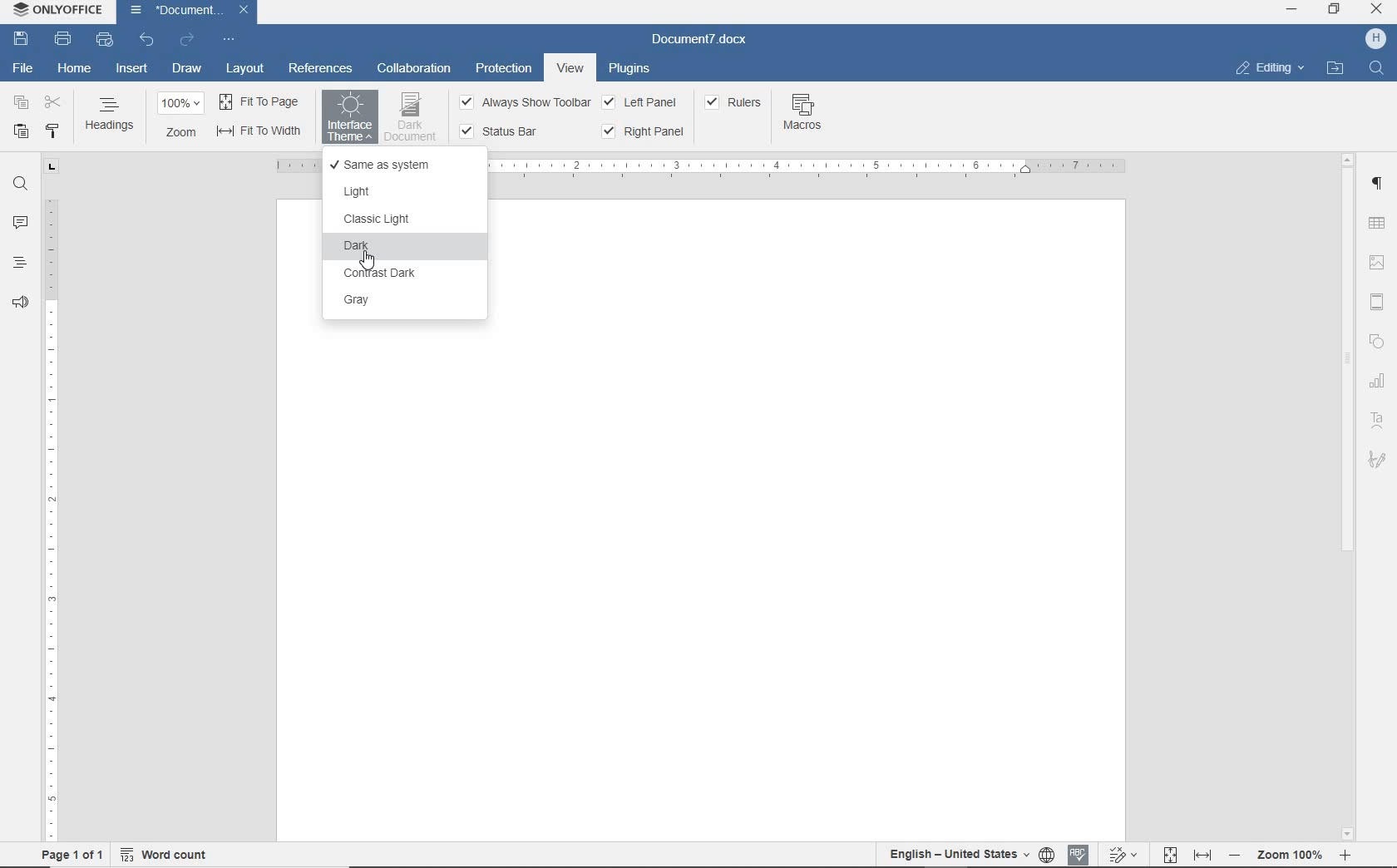 The image size is (1397, 868). What do you see at coordinates (803, 115) in the screenshot?
I see `MACROS` at bounding box center [803, 115].